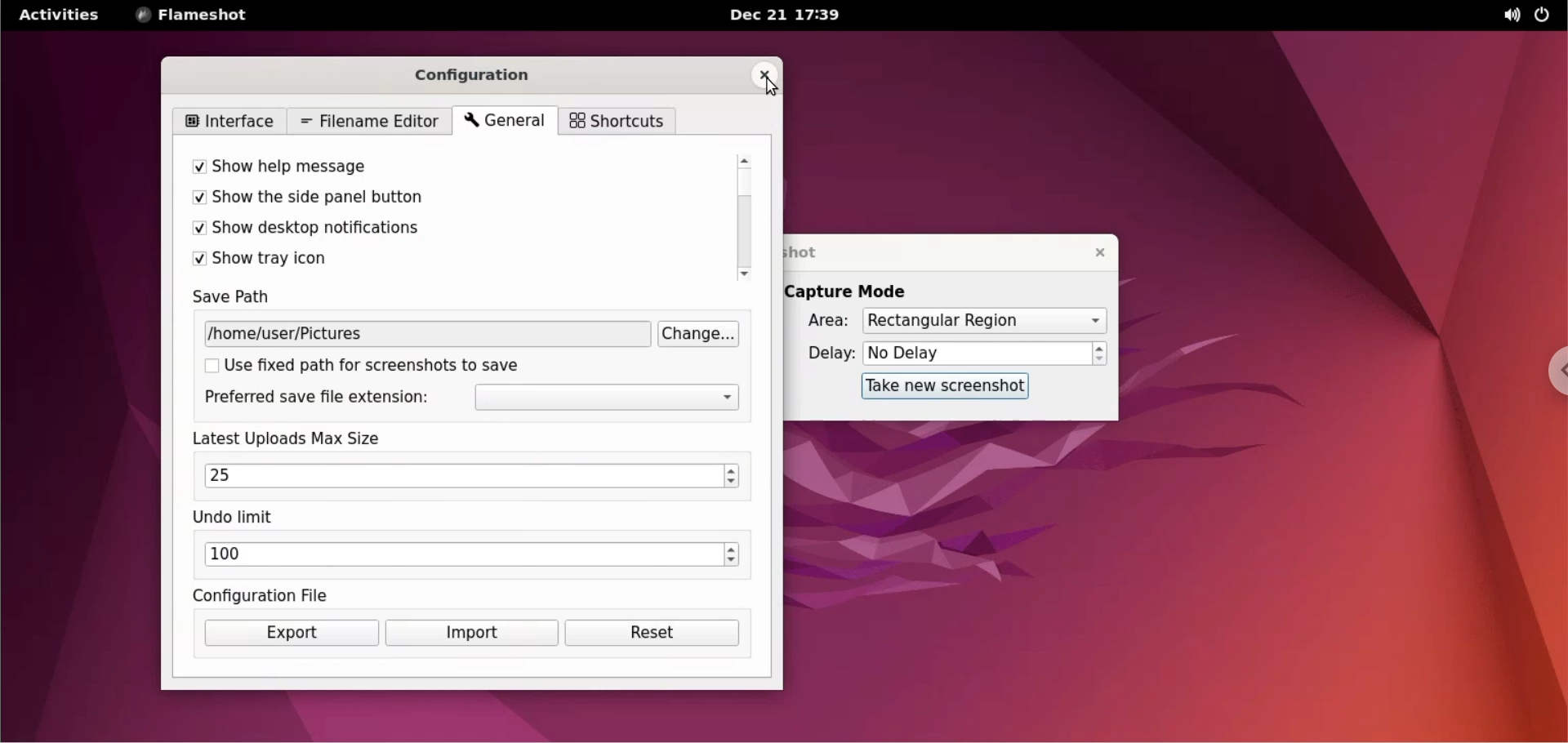 Image resolution: width=1568 pixels, height=743 pixels. Describe the element at coordinates (502, 122) in the screenshot. I see `general` at that location.